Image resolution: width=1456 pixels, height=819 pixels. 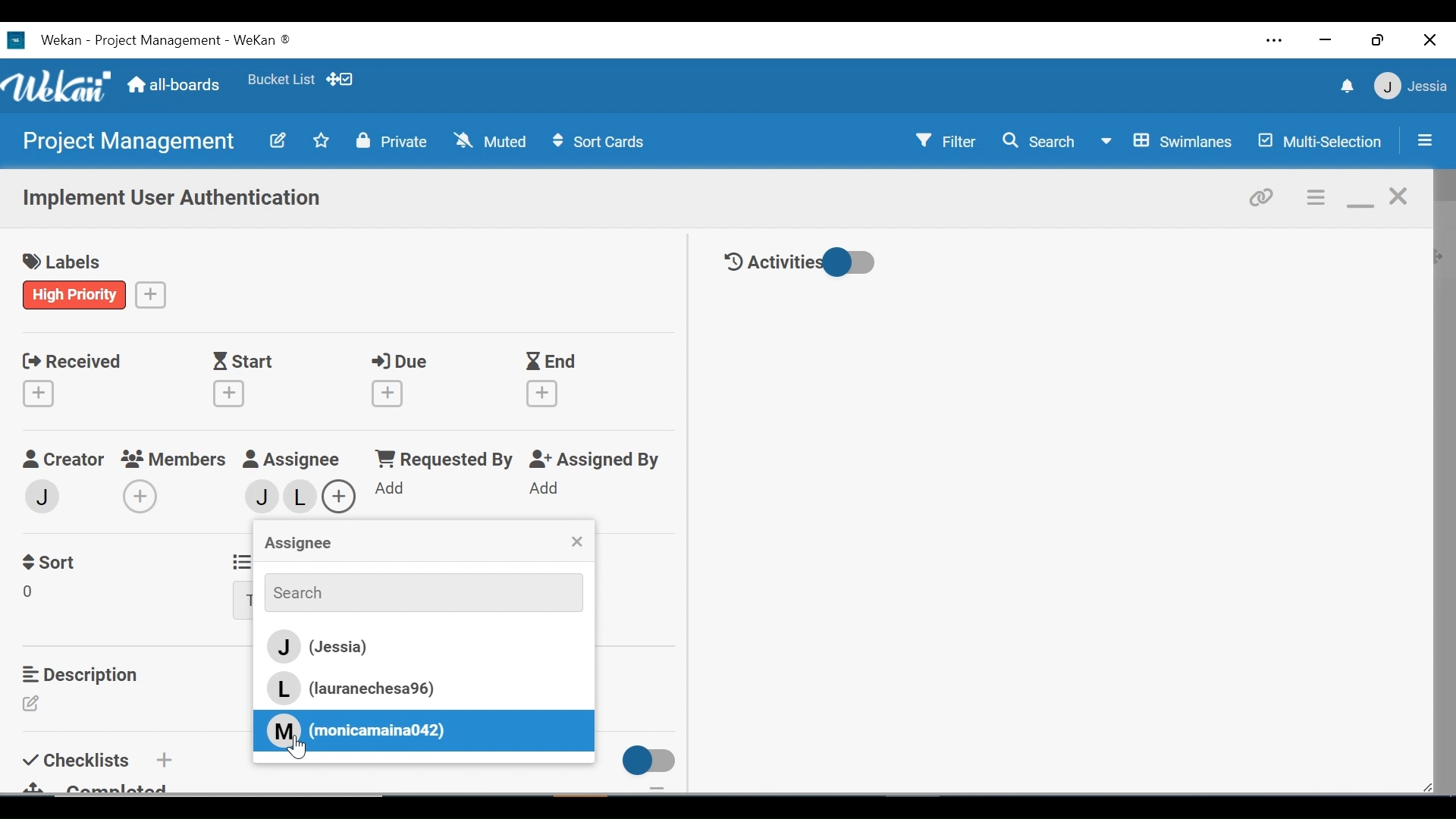 I want to click on Filter, so click(x=947, y=140).